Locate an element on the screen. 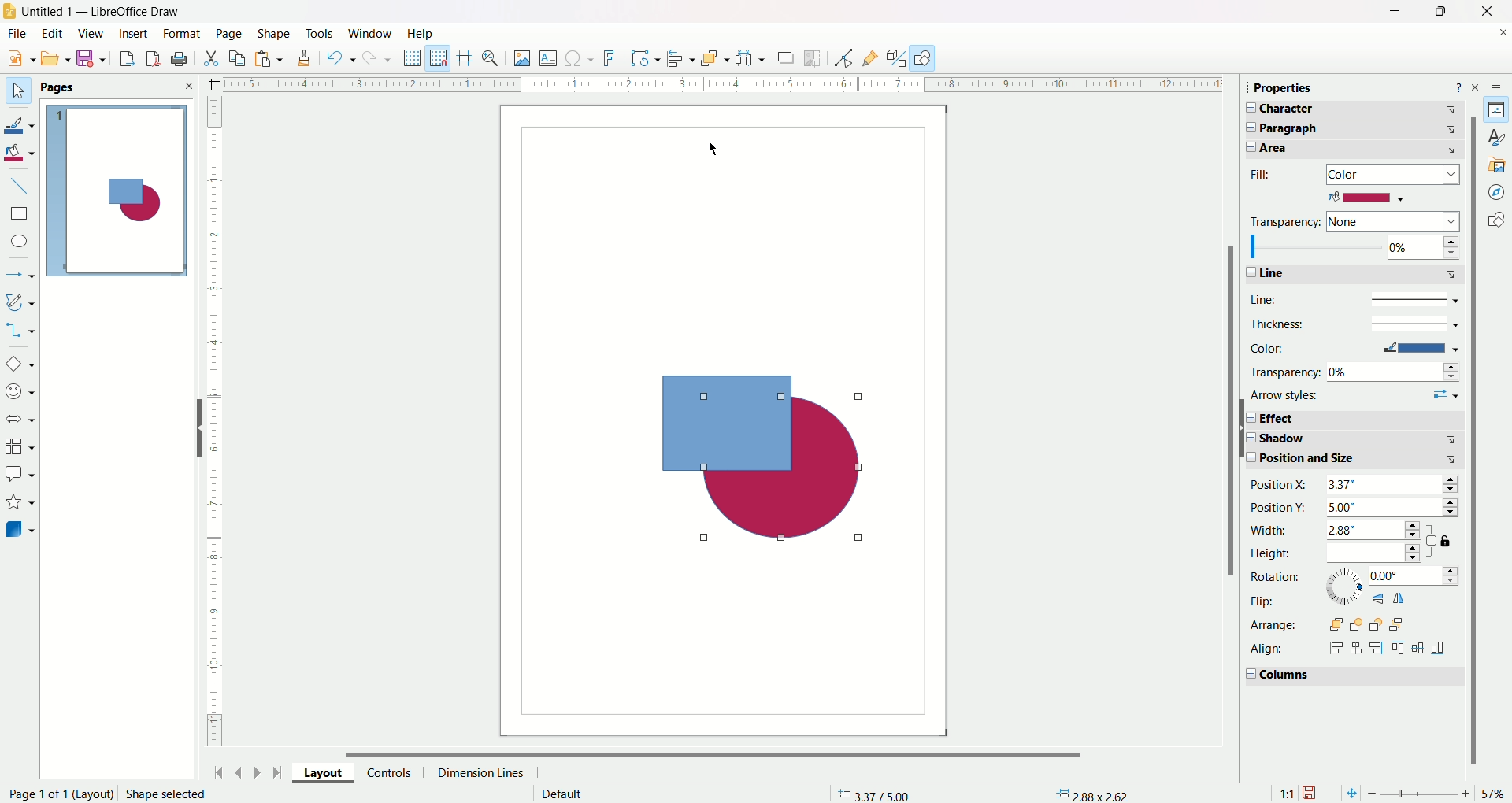  3D objects is located at coordinates (21, 531).